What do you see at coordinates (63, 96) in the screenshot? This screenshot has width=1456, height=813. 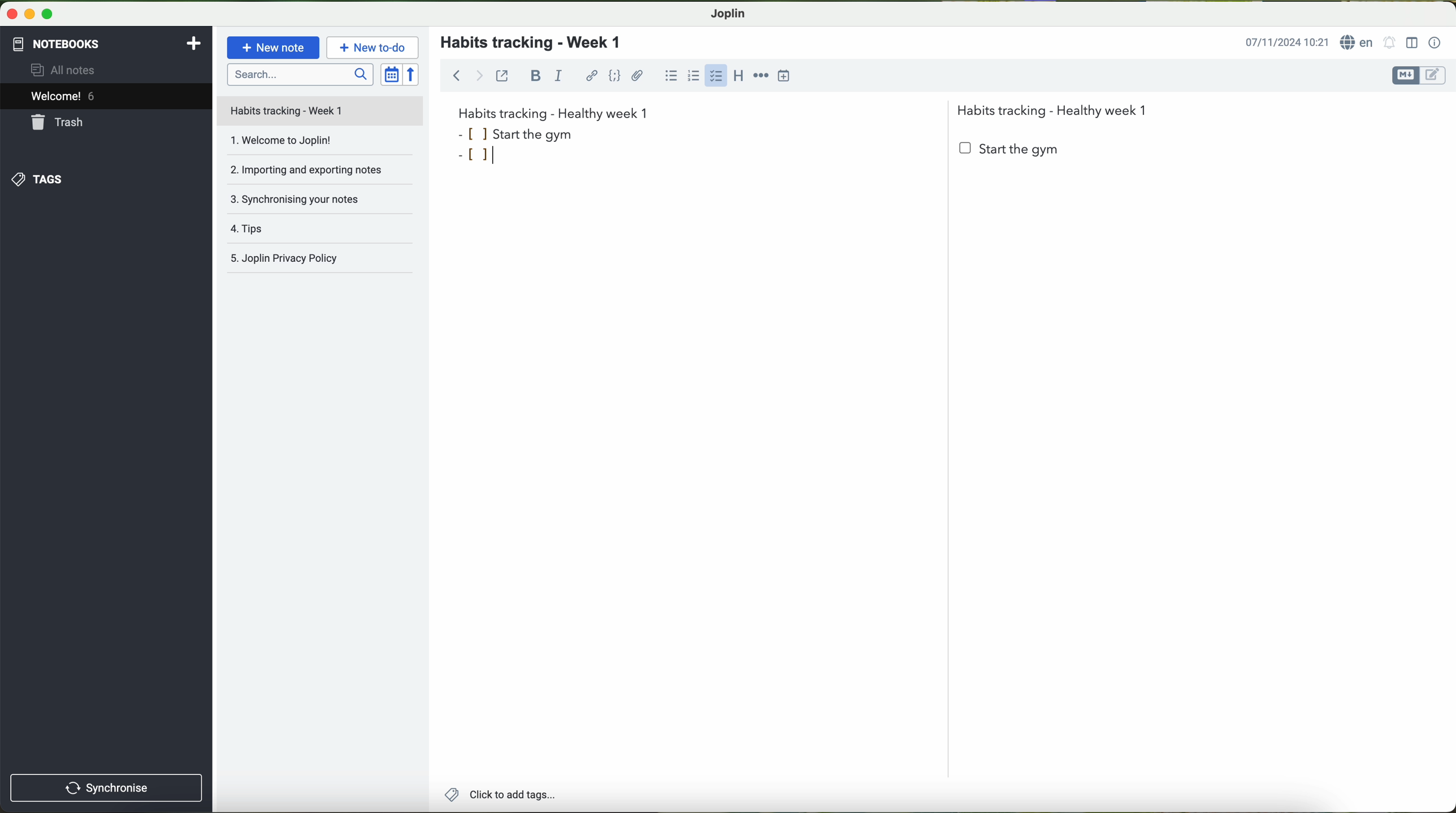 I see `welcome 5` at bounding box center [63, 96].